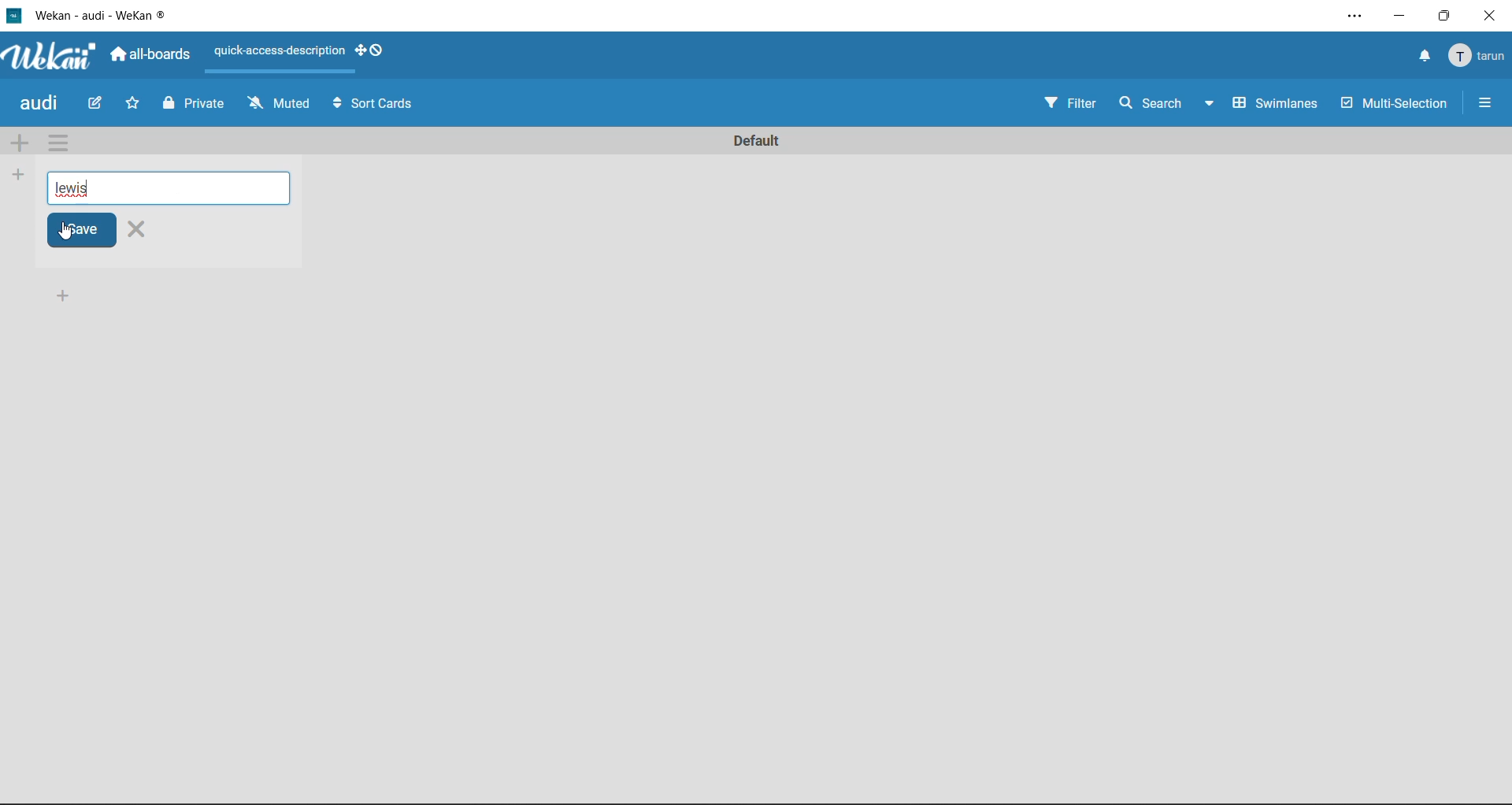 This screenshot has width=1512, height=805. What do you see at coordinates (1347, 13) in the screenshot?
I see `settings` at bounding box center [1347, 13].